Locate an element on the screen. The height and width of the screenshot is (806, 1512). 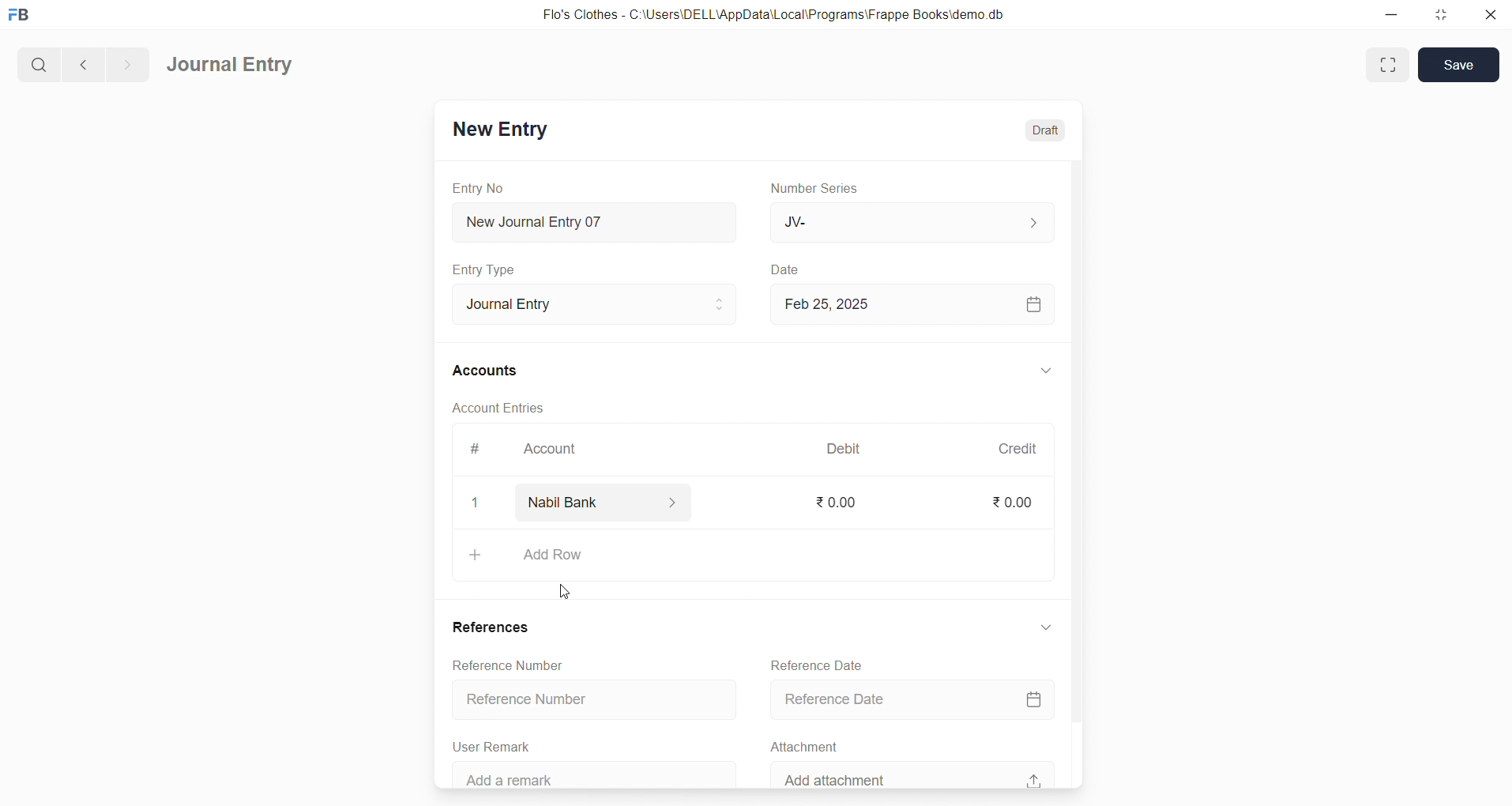
Add Row is located at coordinates (754, 557).